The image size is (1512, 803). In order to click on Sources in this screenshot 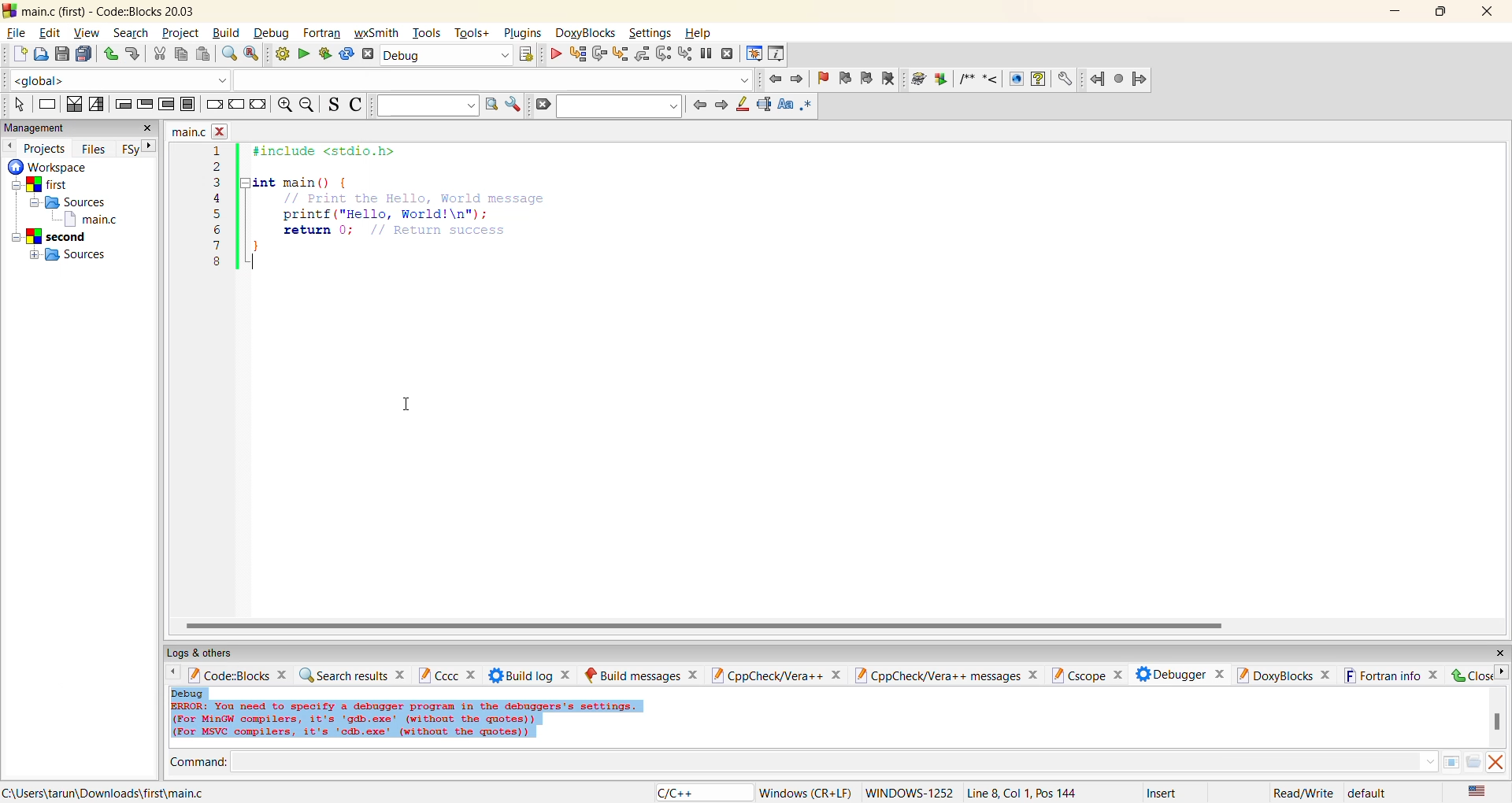, I will do `click(68, 253)`.